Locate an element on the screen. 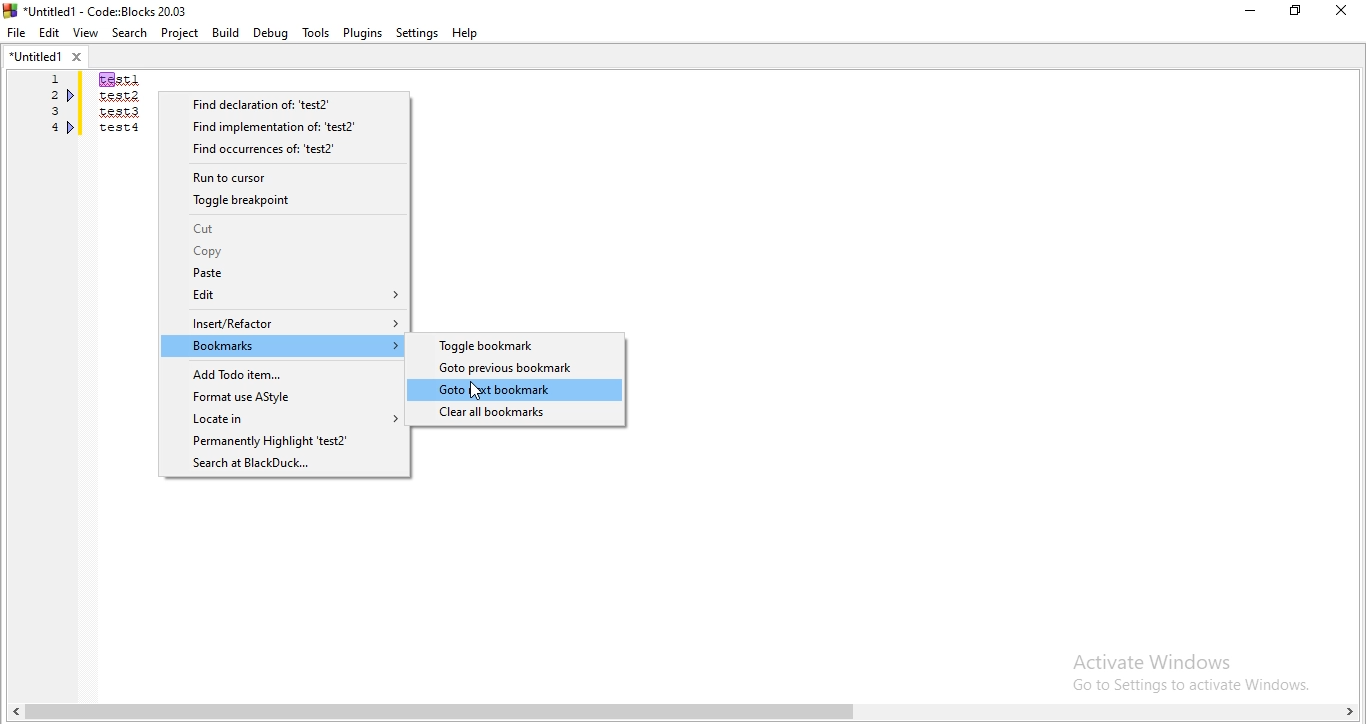 This screenshot has height=724, width=1366. Bookmarks is located at coordinates (284, 346).